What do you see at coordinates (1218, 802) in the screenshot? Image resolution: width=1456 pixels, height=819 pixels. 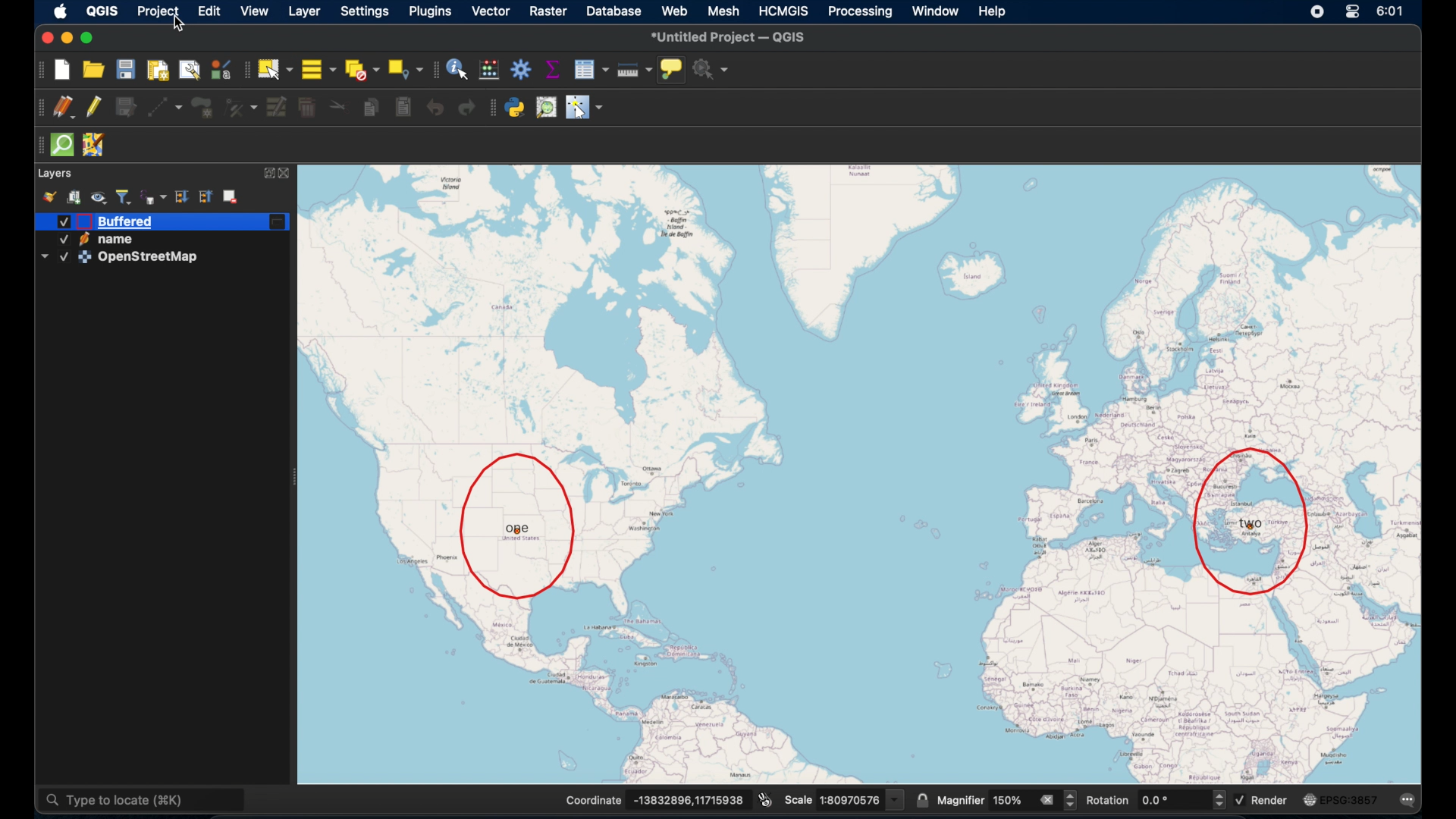 I see `Increase and decrease rotation value` at bounding box center [1218, 802].